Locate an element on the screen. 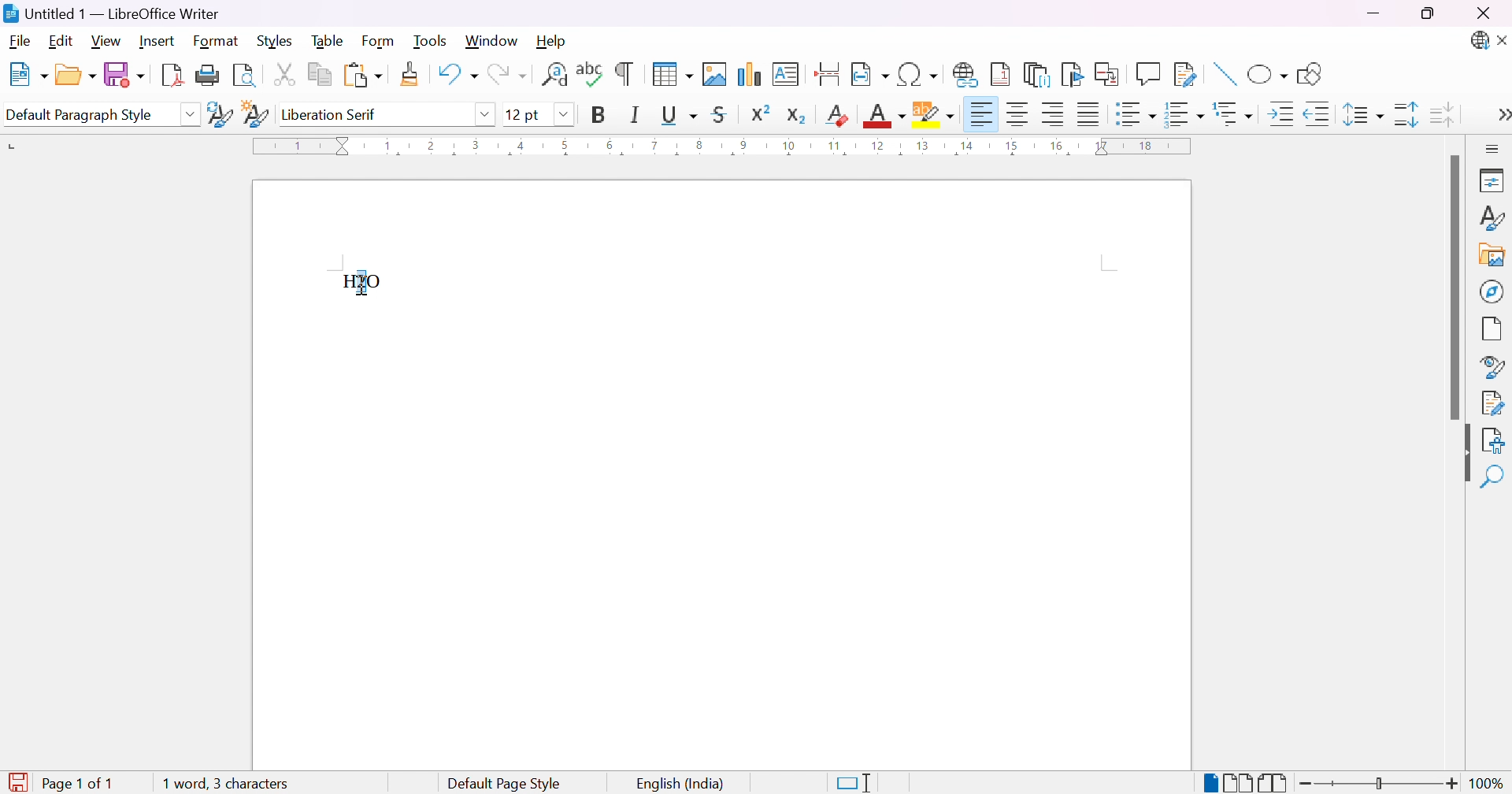  Page 1 of 1 is located at coordinates (61, 784).